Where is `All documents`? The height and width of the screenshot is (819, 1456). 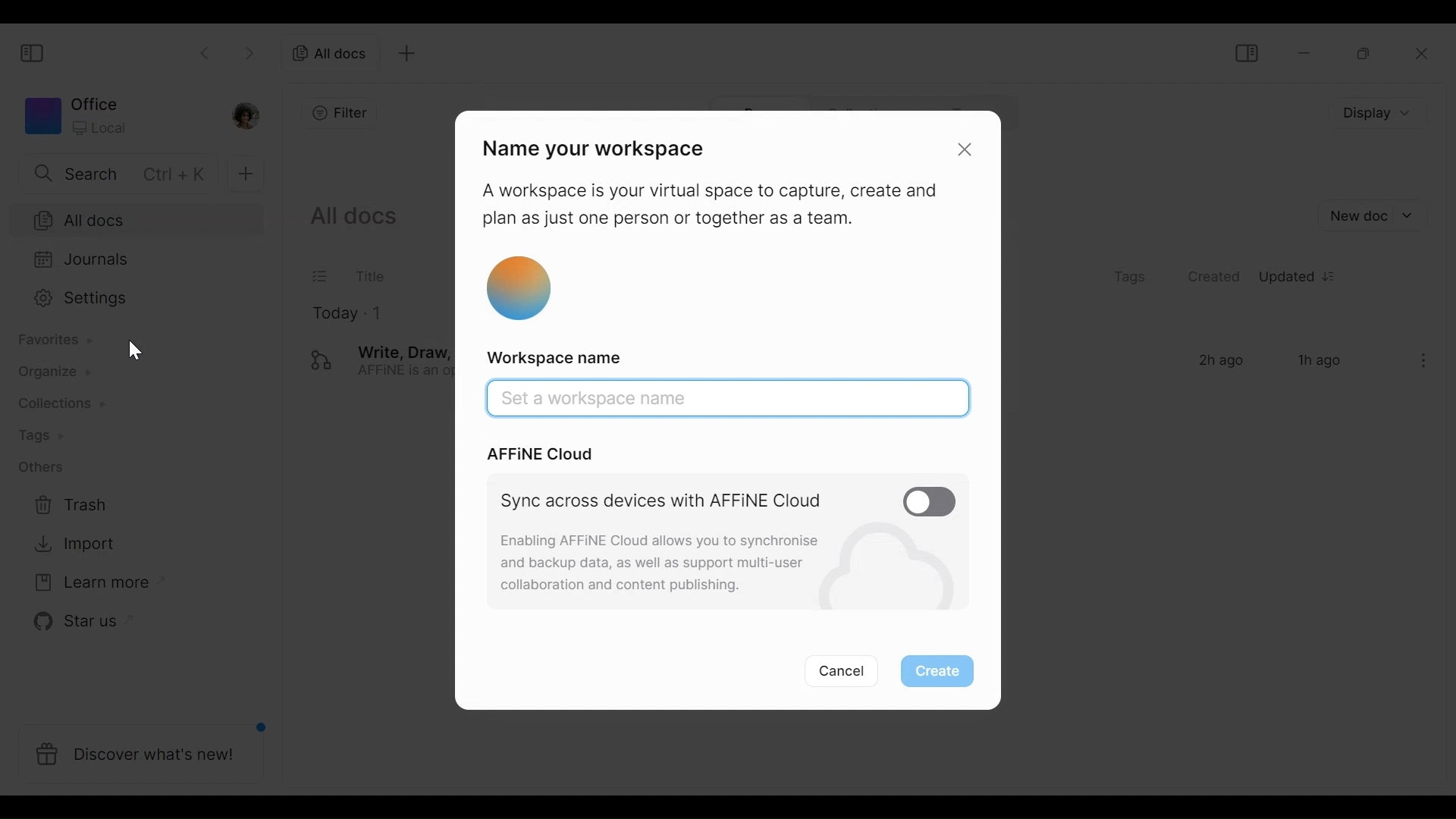 All documents is located at coordinates (334, 52).